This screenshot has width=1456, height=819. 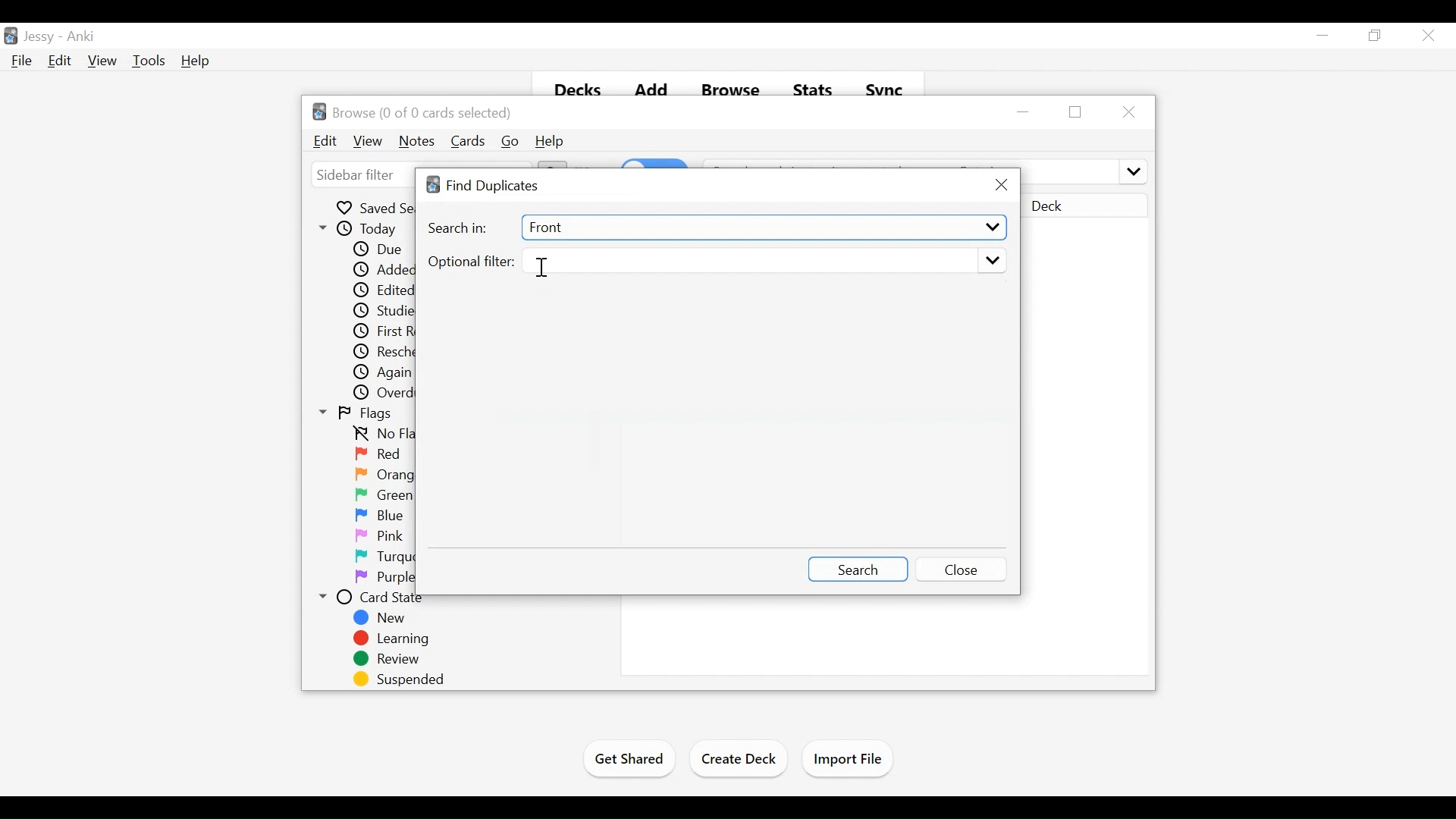 I want to click on Edit, so click(x=58, y=60).